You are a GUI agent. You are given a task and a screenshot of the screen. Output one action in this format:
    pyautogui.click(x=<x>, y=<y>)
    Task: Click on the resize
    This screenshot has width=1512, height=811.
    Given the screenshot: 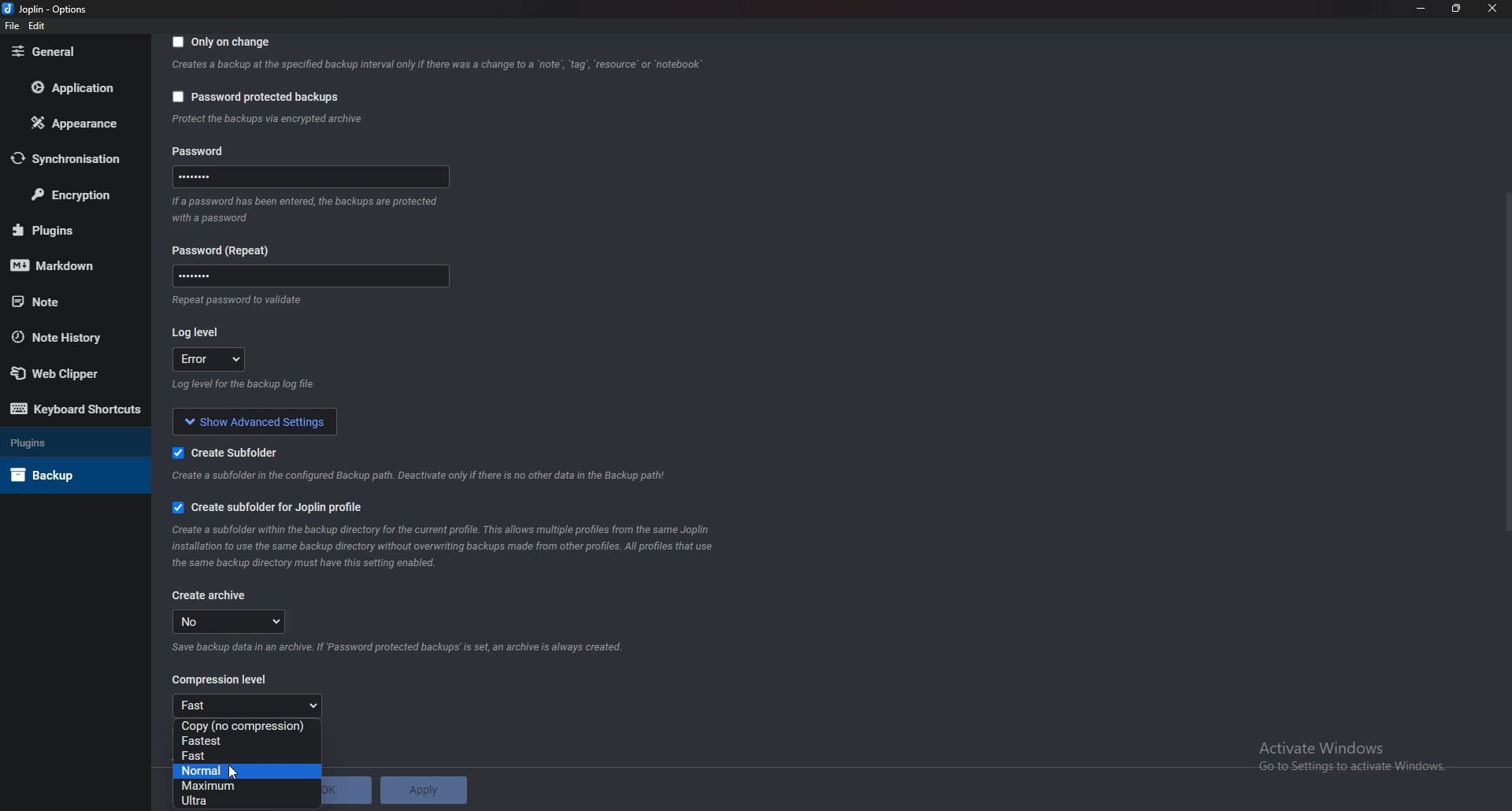 What is the action you would take?
    pyautogui.click(x=1458, y=8)
    